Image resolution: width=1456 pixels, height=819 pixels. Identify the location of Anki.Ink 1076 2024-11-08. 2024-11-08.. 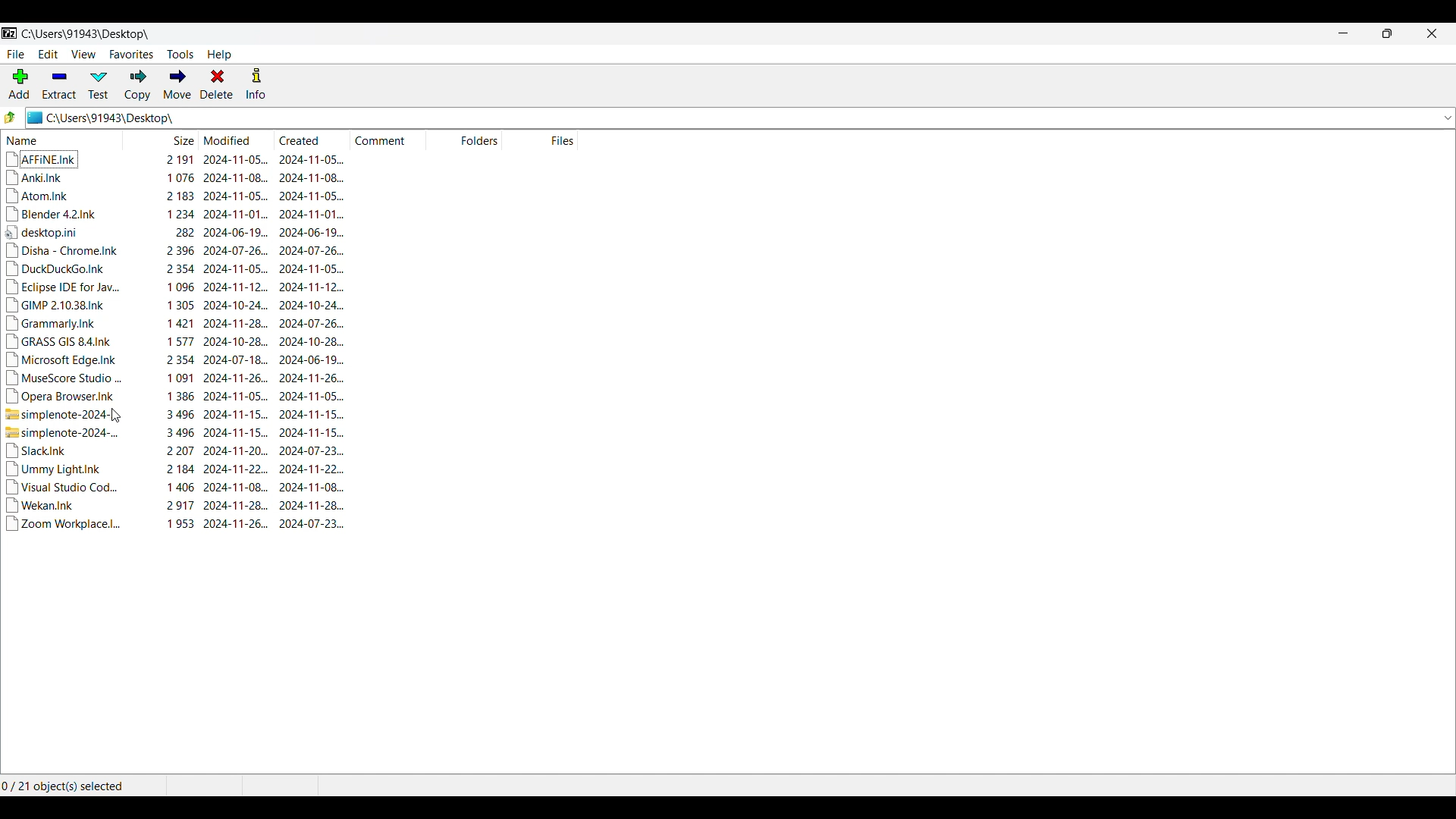
(183, 178).